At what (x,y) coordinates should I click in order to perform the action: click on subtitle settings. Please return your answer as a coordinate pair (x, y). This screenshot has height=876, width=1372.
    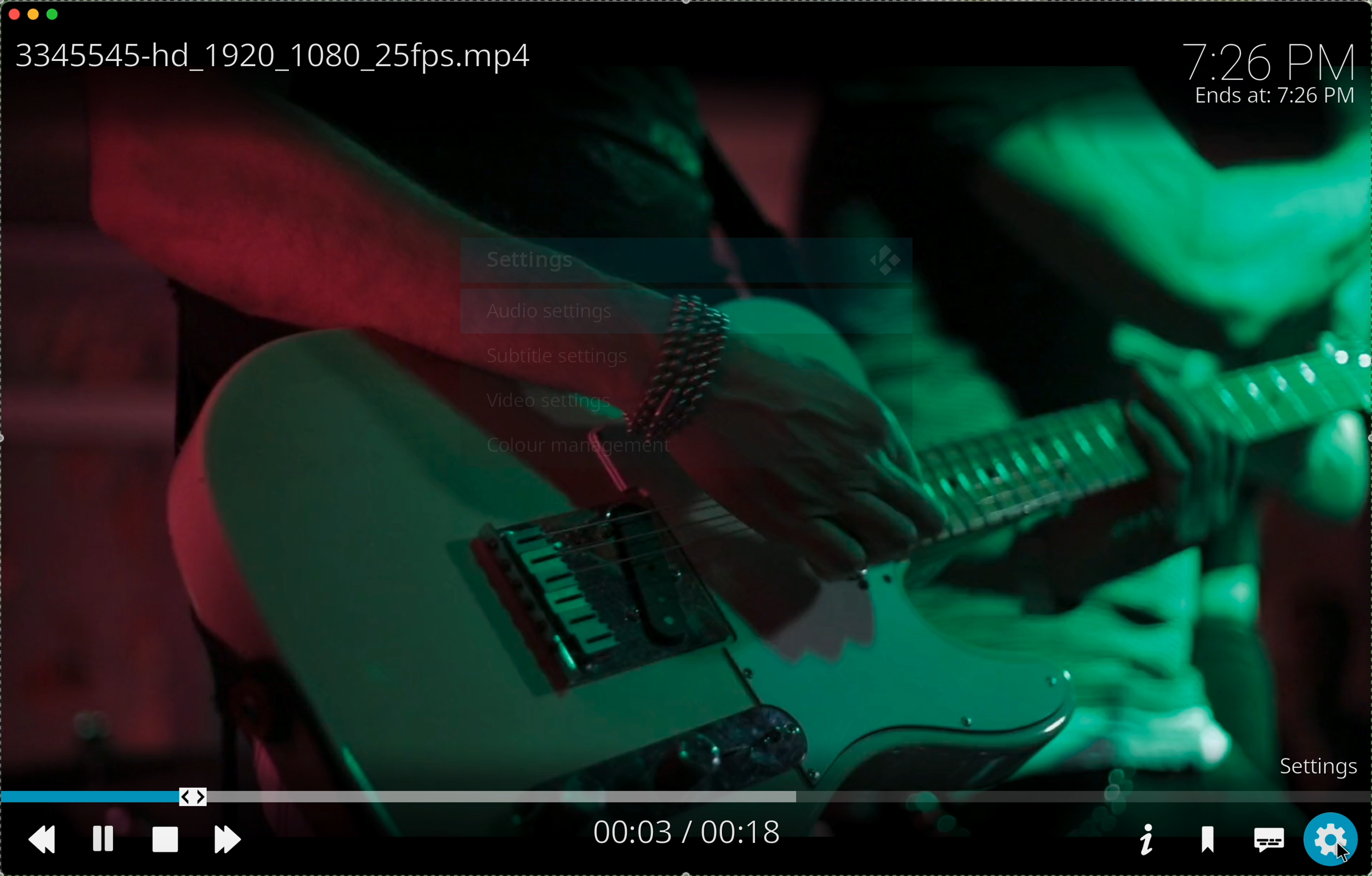
    Looking at the image, I should click on (546, 346).